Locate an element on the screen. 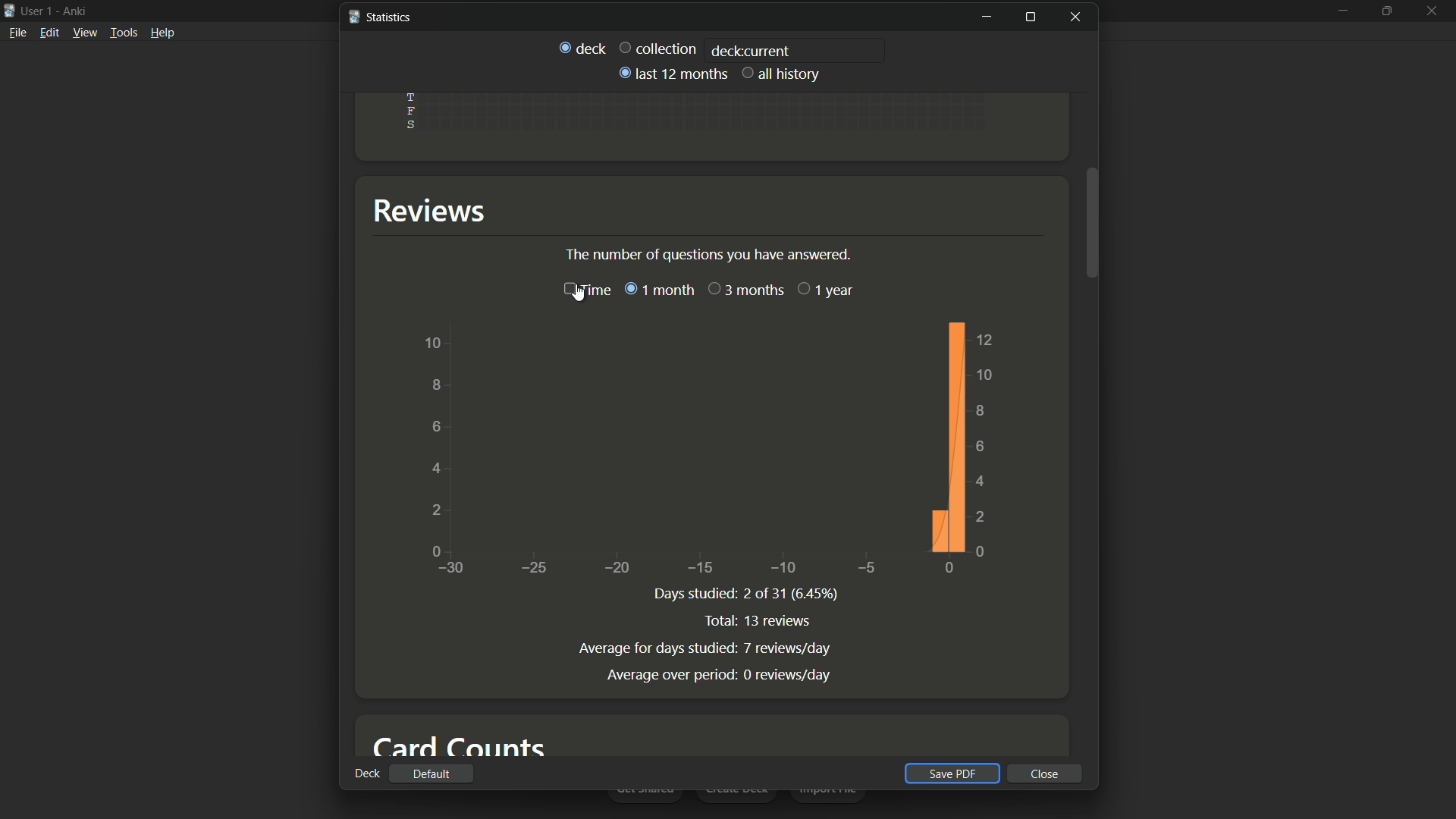 Image resolution: width=1456 pixels, height=819 pixels. save pdf is located at coordinates (949, 773).